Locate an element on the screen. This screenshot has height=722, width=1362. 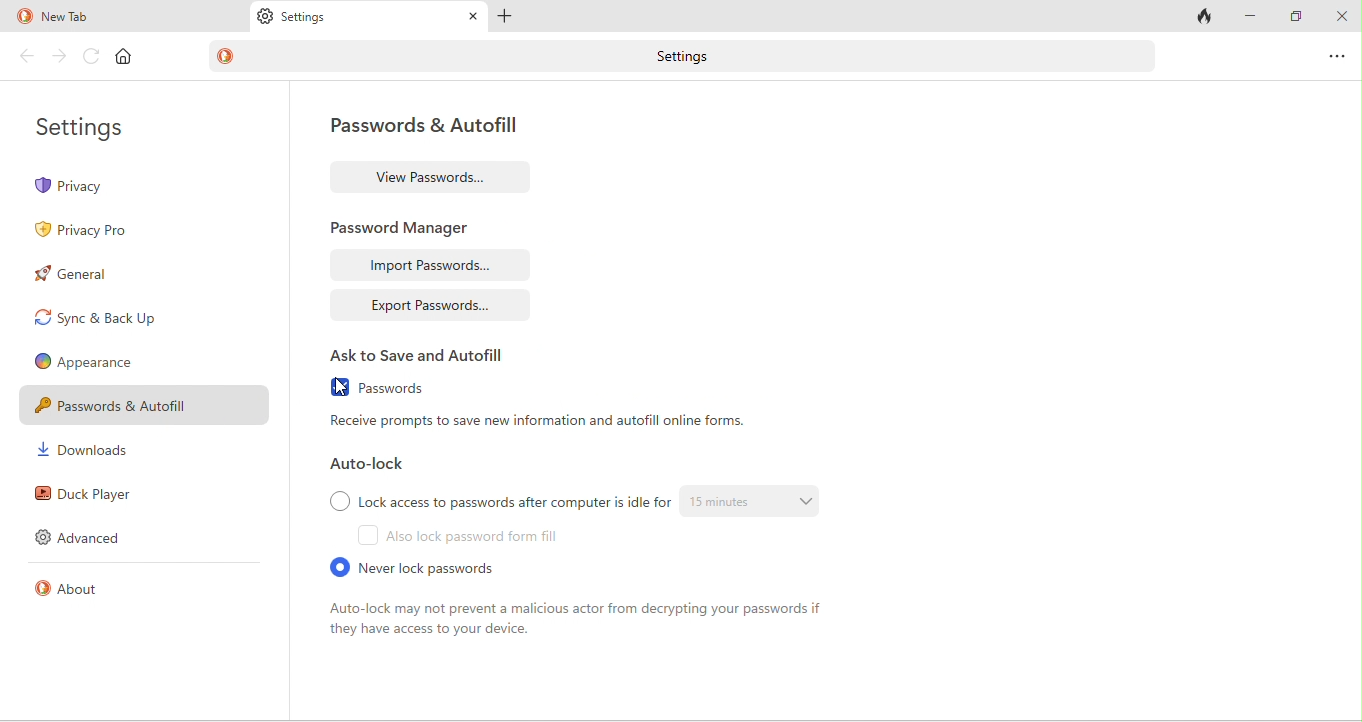
auto look may not prevent a malicious actor from decrypting your passwords if they have access to your device is located at coordinates (582, 624).